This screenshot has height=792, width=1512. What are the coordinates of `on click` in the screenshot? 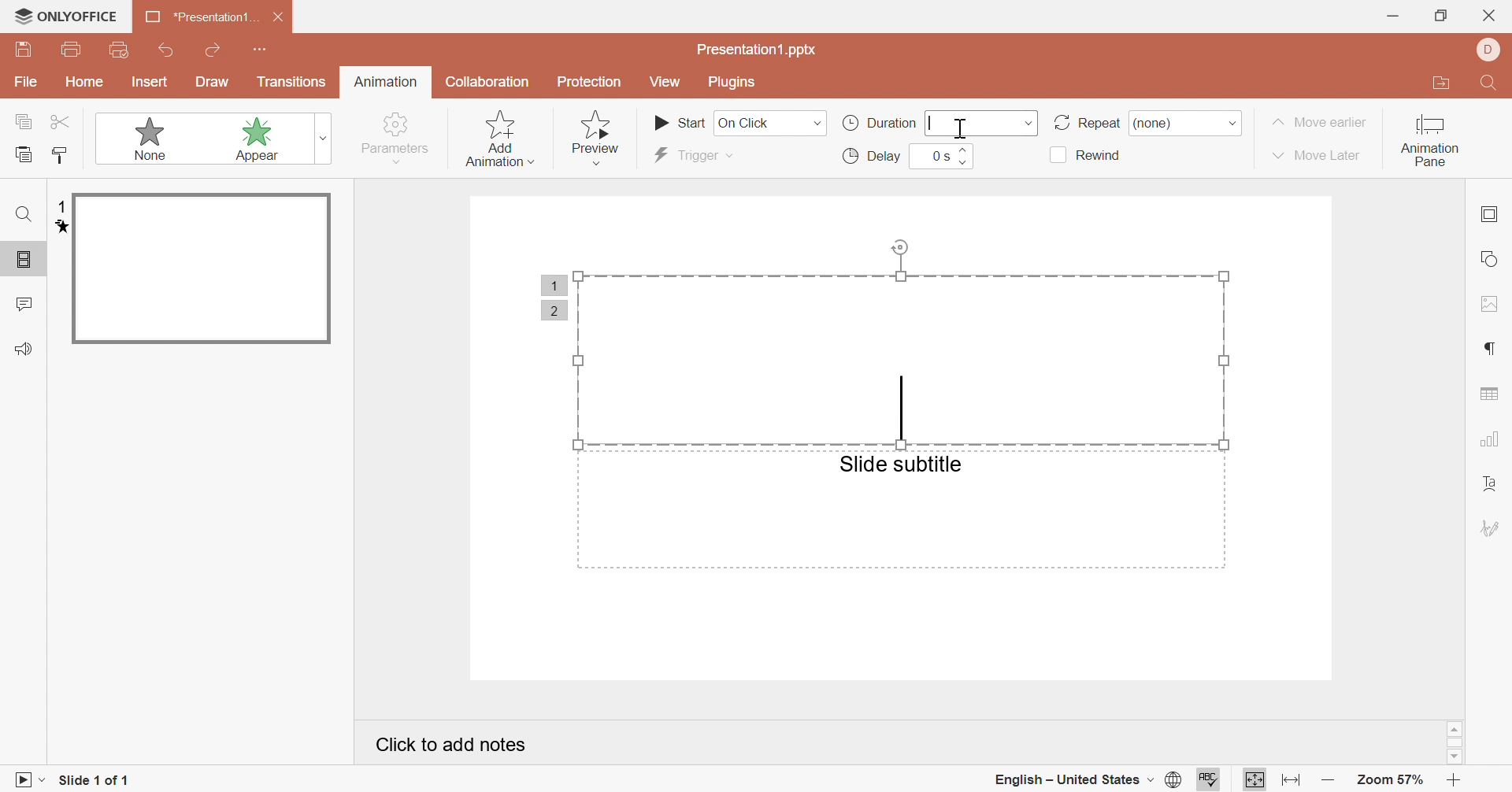 It's located at (769, 123).